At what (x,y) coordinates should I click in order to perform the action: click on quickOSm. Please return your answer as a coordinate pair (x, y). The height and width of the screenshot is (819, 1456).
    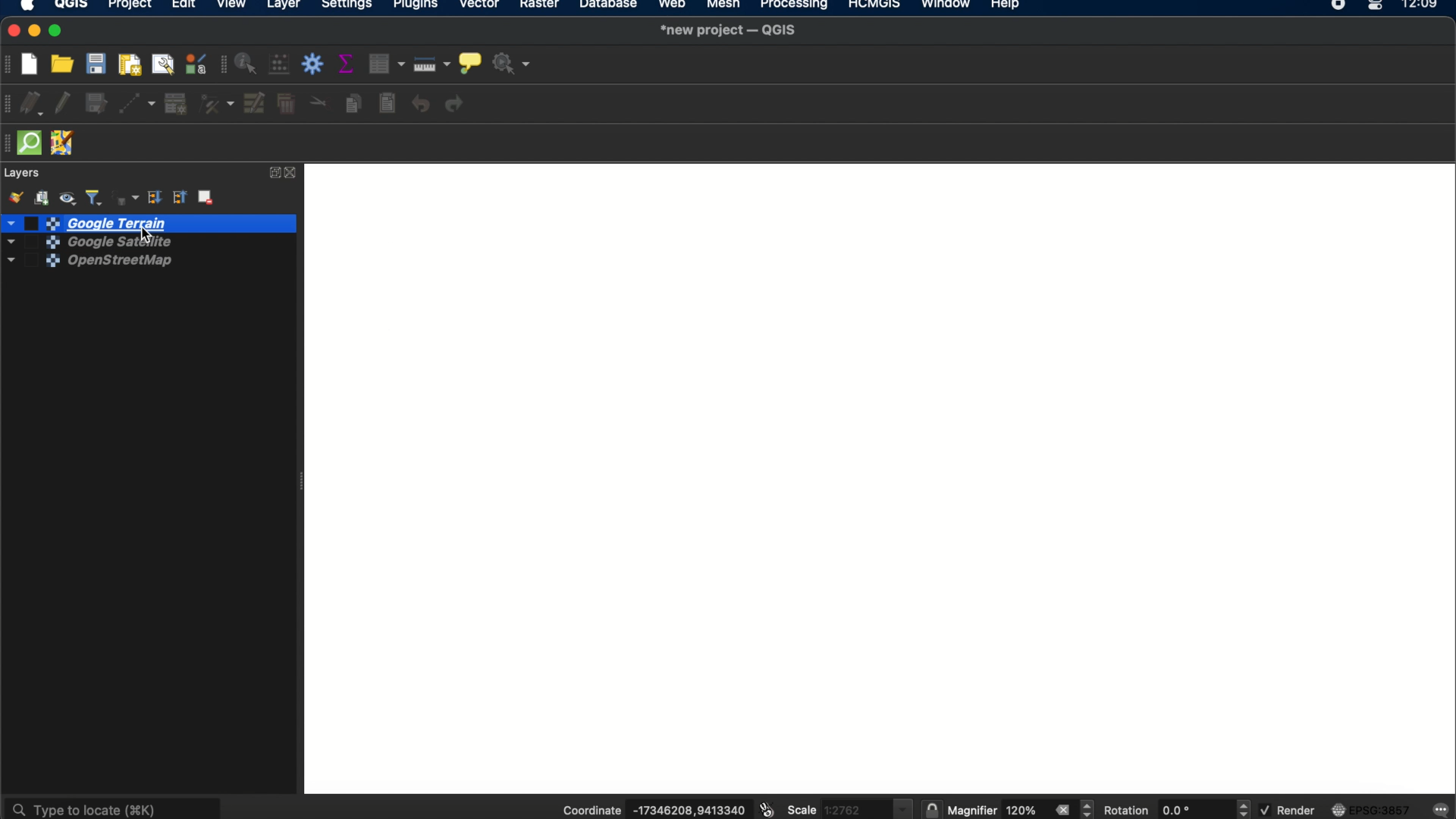
    Looking at the image, I should click on (33, 143).